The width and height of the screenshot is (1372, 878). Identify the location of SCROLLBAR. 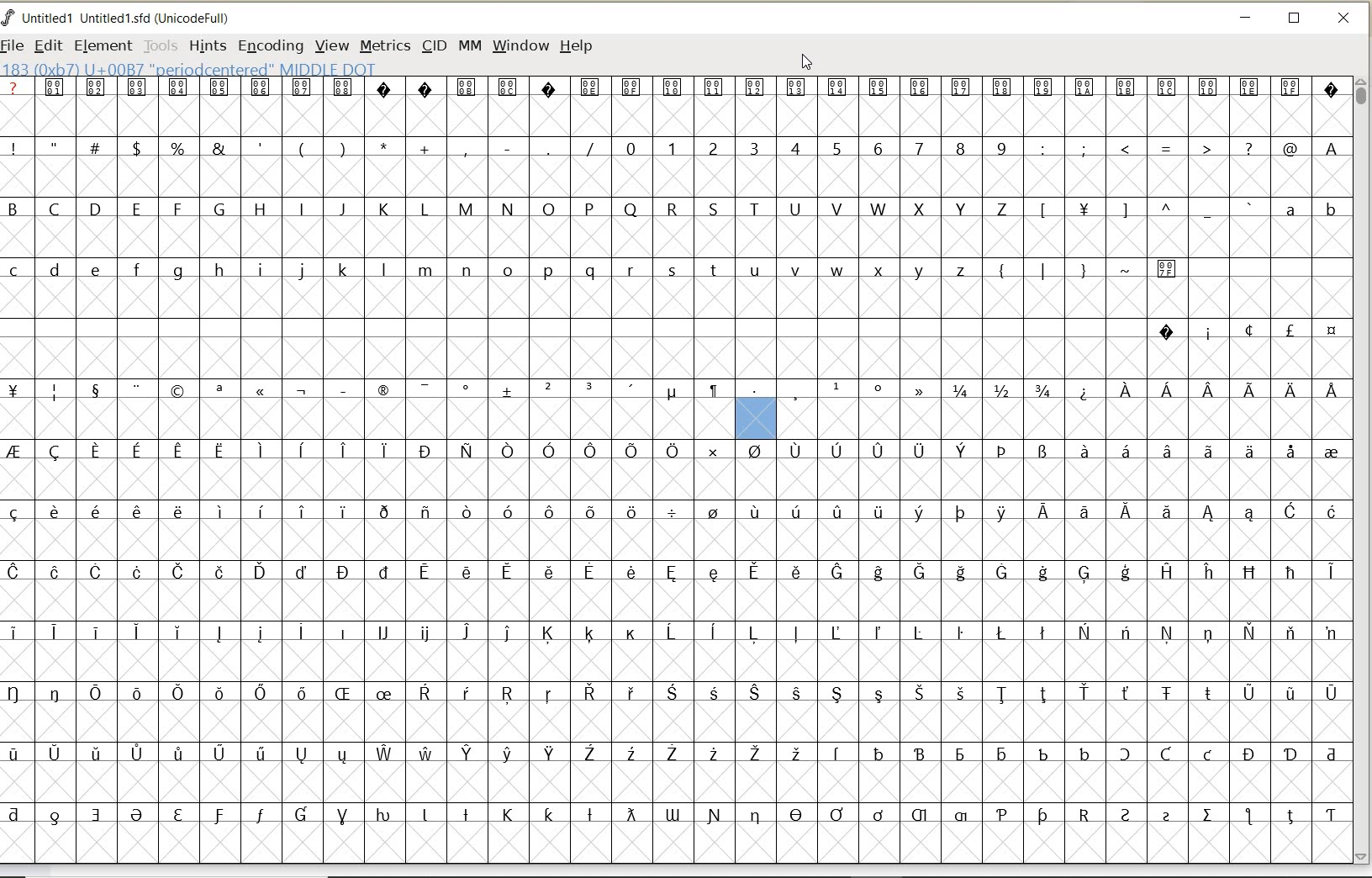
(1364, 470).